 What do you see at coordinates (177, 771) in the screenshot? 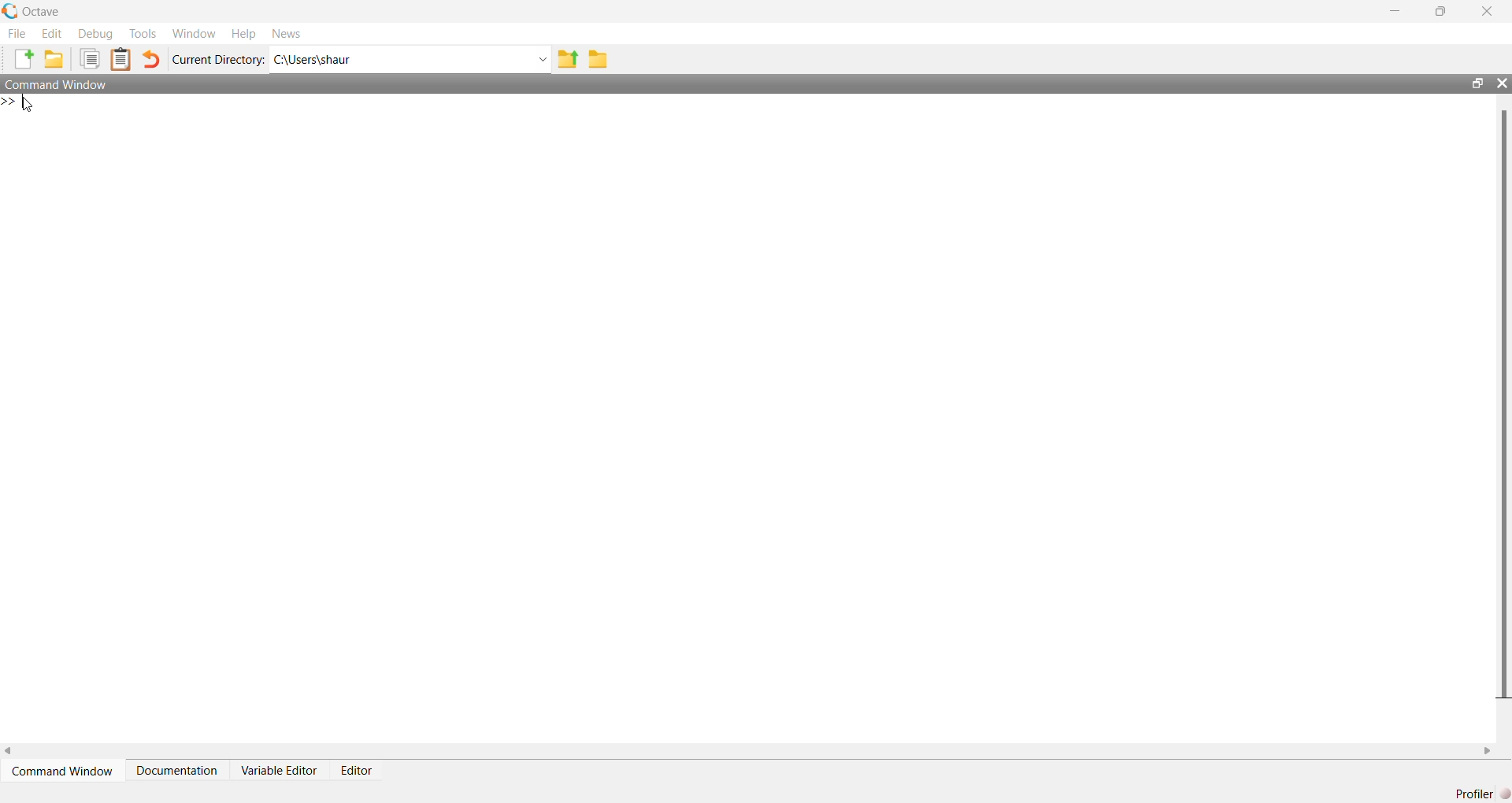
I see `Documentation` at bounding box center [177, 771].